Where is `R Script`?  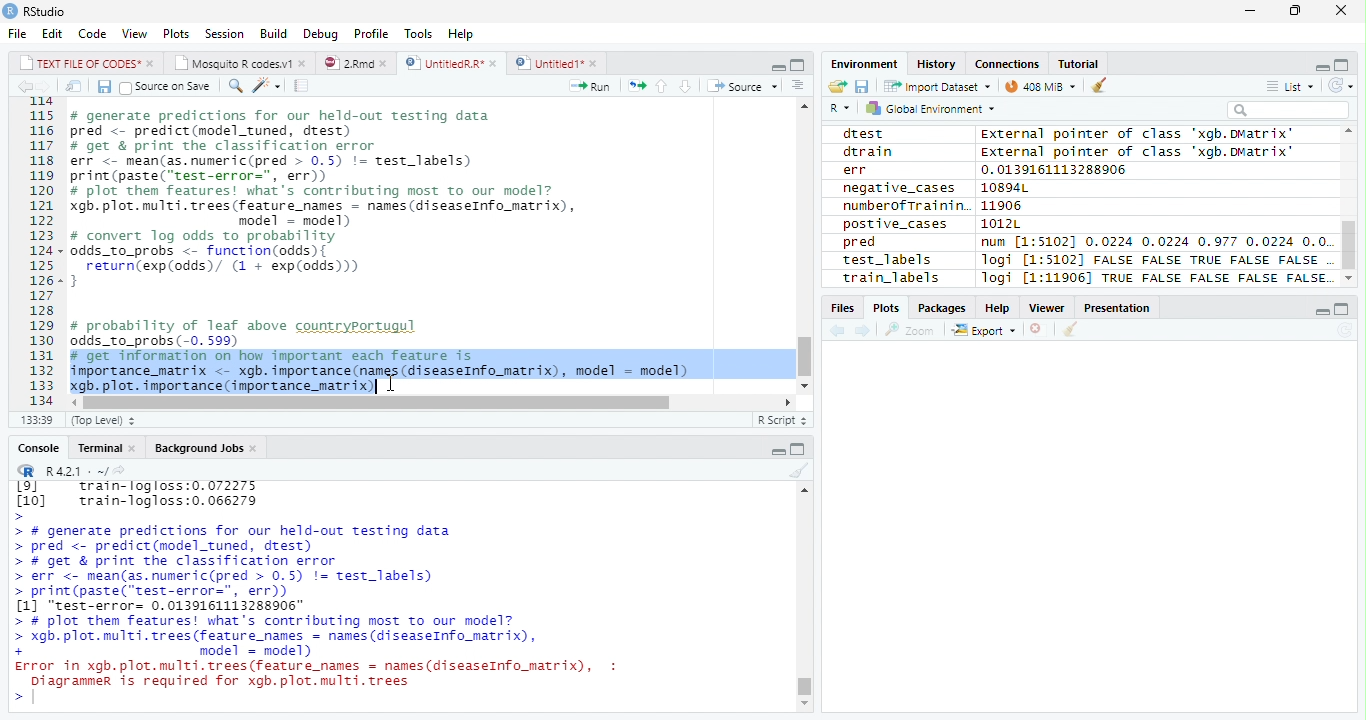 R Script is located at coordinates (783, 418).